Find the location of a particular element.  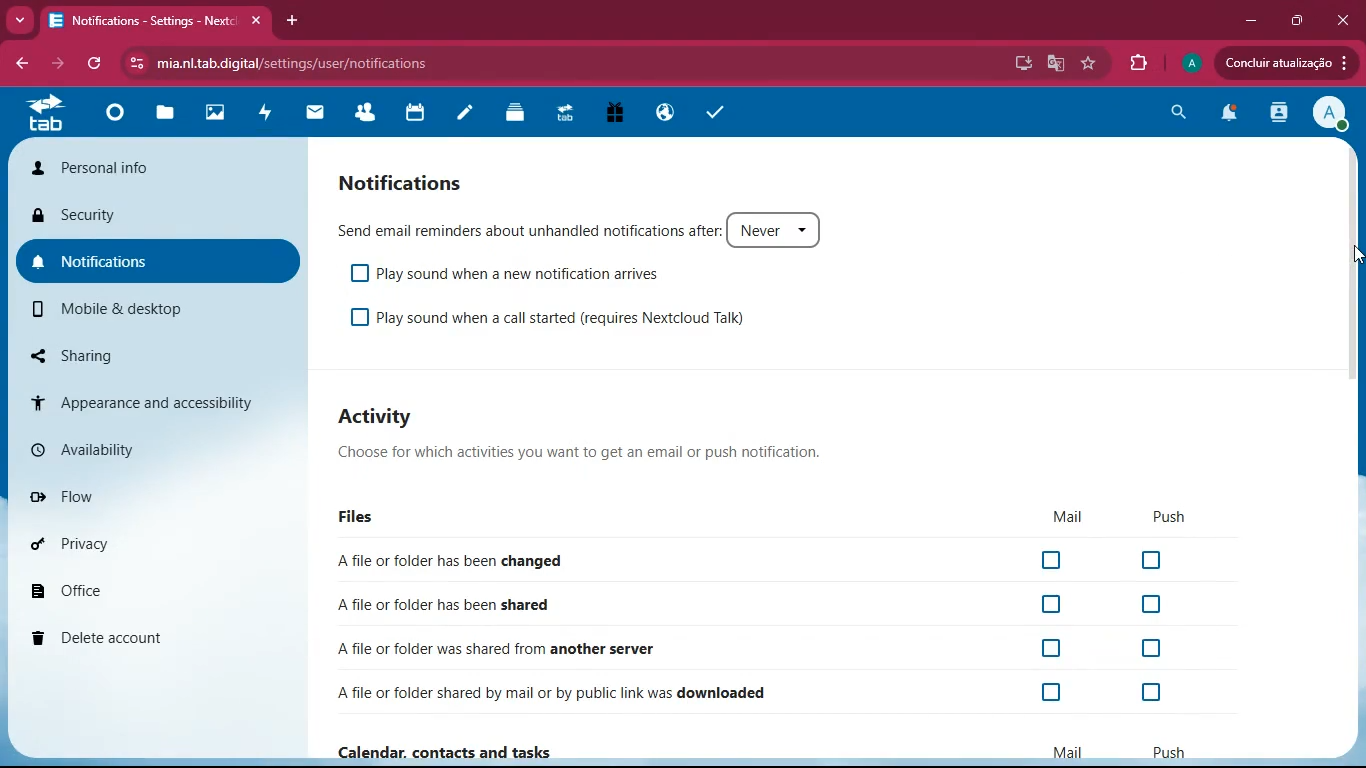

close tab is located at coordinates (254, 20).